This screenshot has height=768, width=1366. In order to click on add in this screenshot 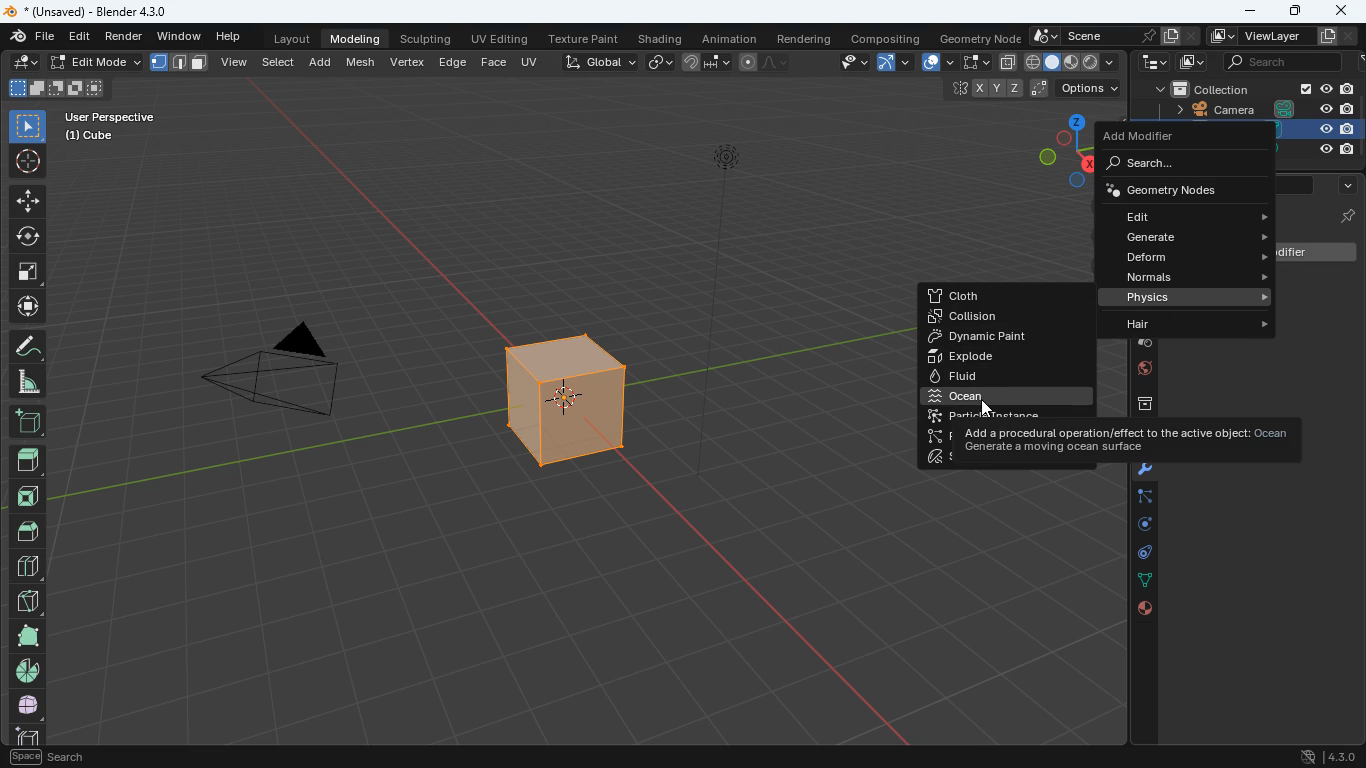, I will do `click(26, 423)`.